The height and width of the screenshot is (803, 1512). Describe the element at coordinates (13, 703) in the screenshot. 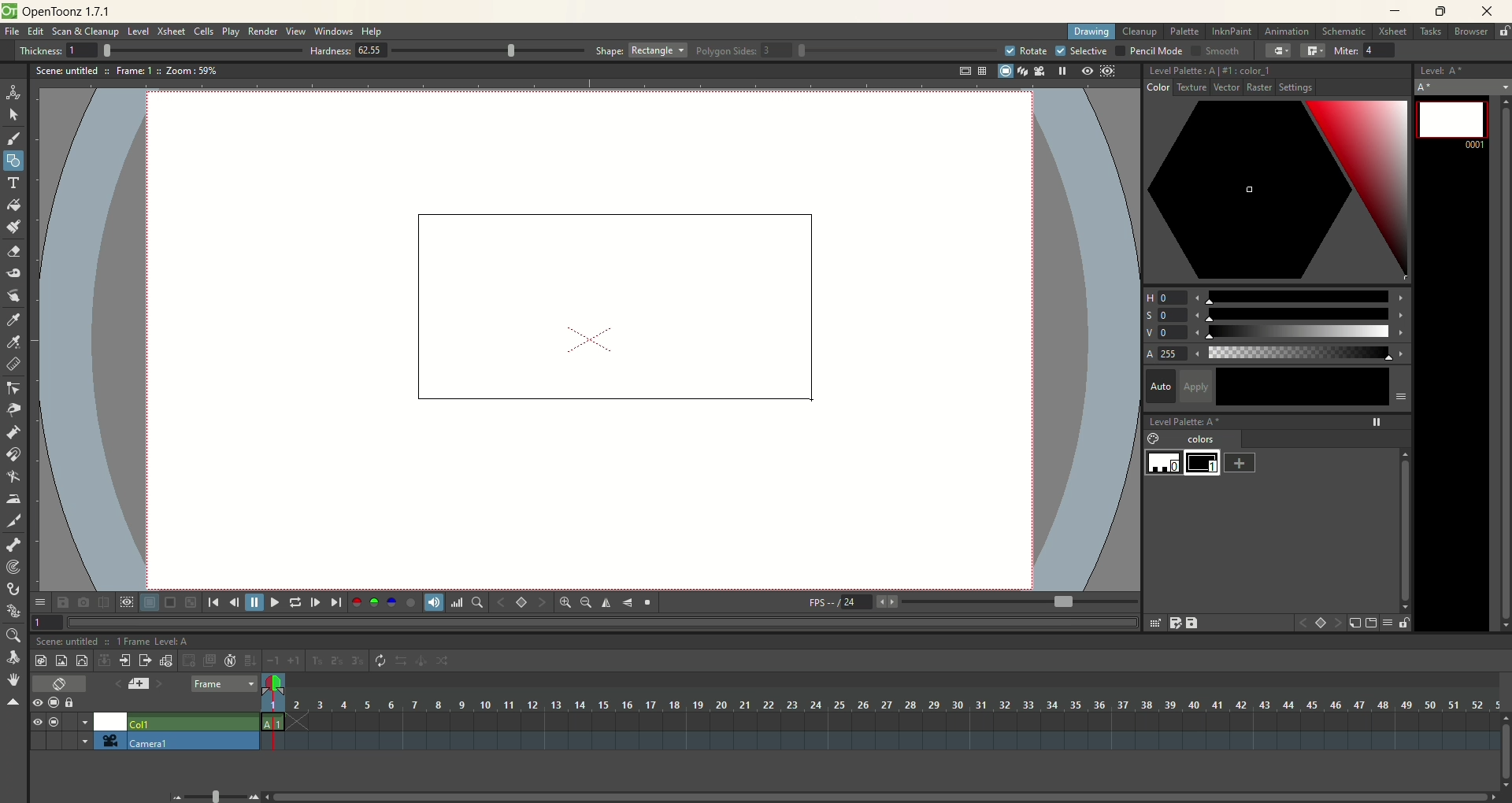

I see `collapse toolbar` at that location.